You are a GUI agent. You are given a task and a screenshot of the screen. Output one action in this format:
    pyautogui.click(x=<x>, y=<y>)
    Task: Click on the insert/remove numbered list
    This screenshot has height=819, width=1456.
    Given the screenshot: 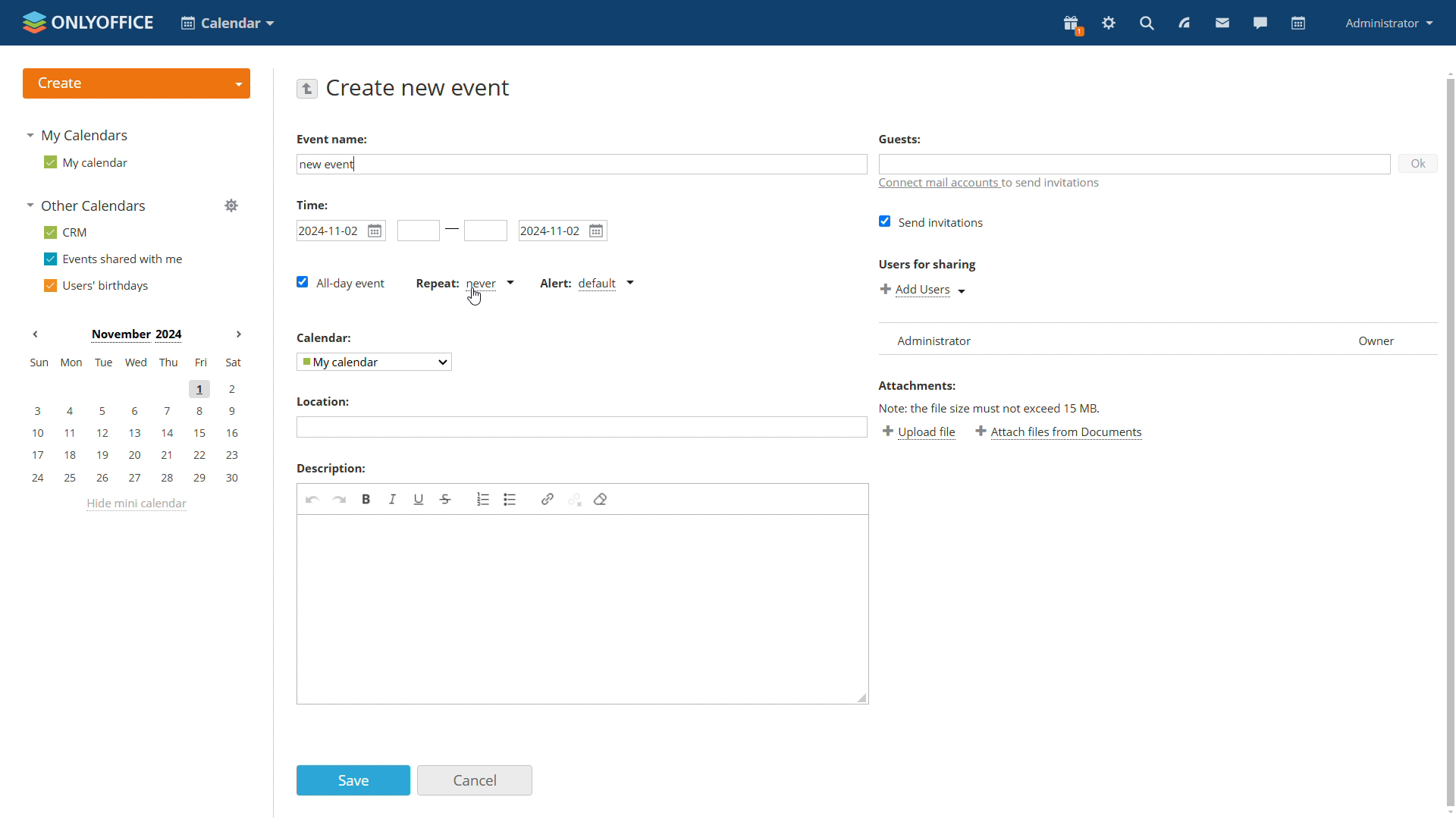 What is the action you would take?
    pyautogui.click(x=483, y=497)
    